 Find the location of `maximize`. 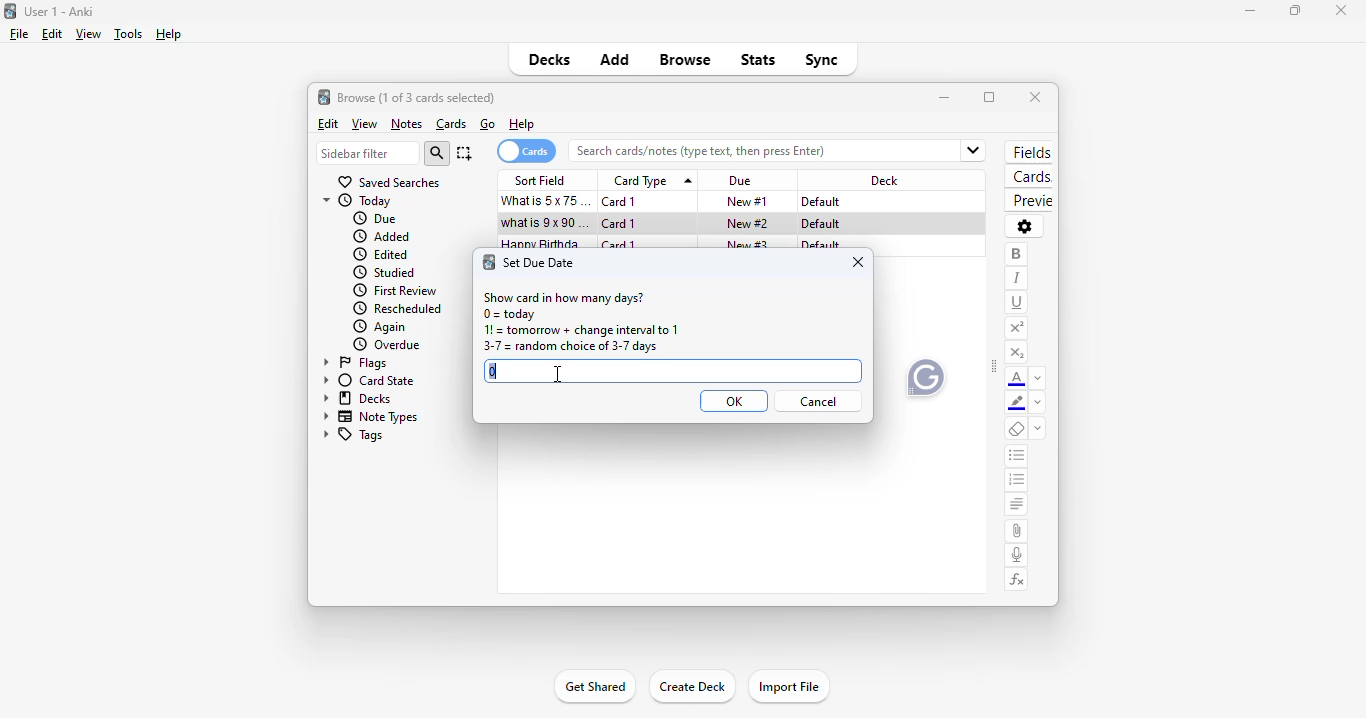

maximize is located at coordinates (989, 97).